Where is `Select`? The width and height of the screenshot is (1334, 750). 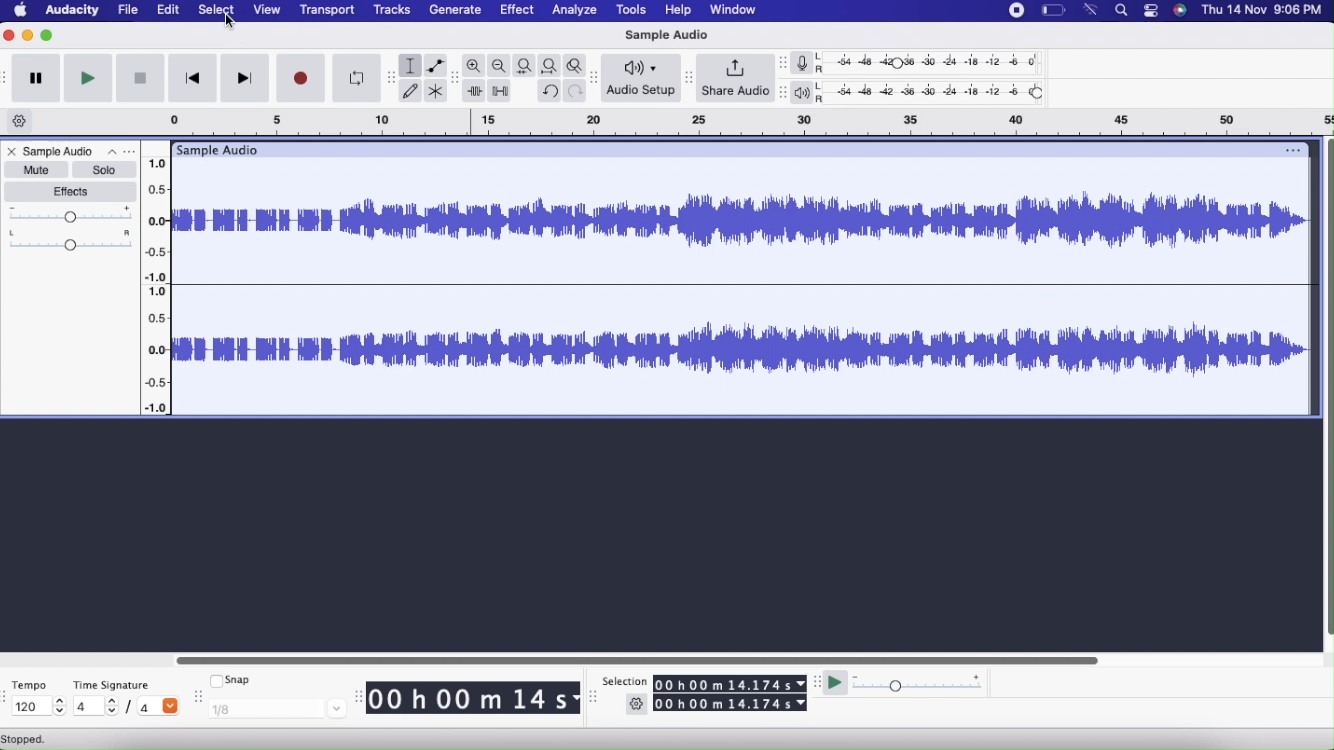 Select is located at coordinates (219, 11).